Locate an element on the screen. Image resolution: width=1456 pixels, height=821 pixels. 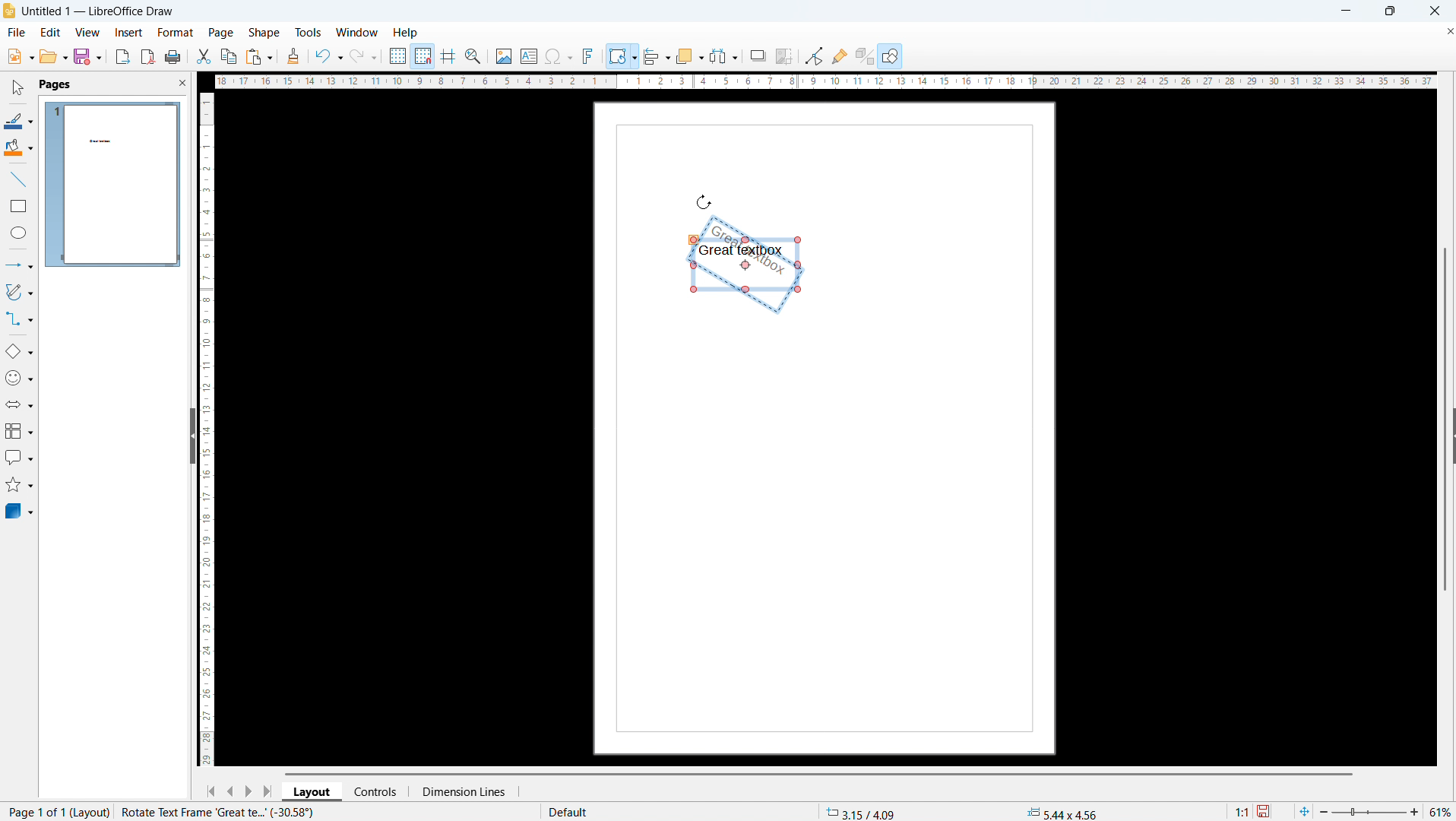
horizontal scroll bar  is located at coordinates (818, 773).